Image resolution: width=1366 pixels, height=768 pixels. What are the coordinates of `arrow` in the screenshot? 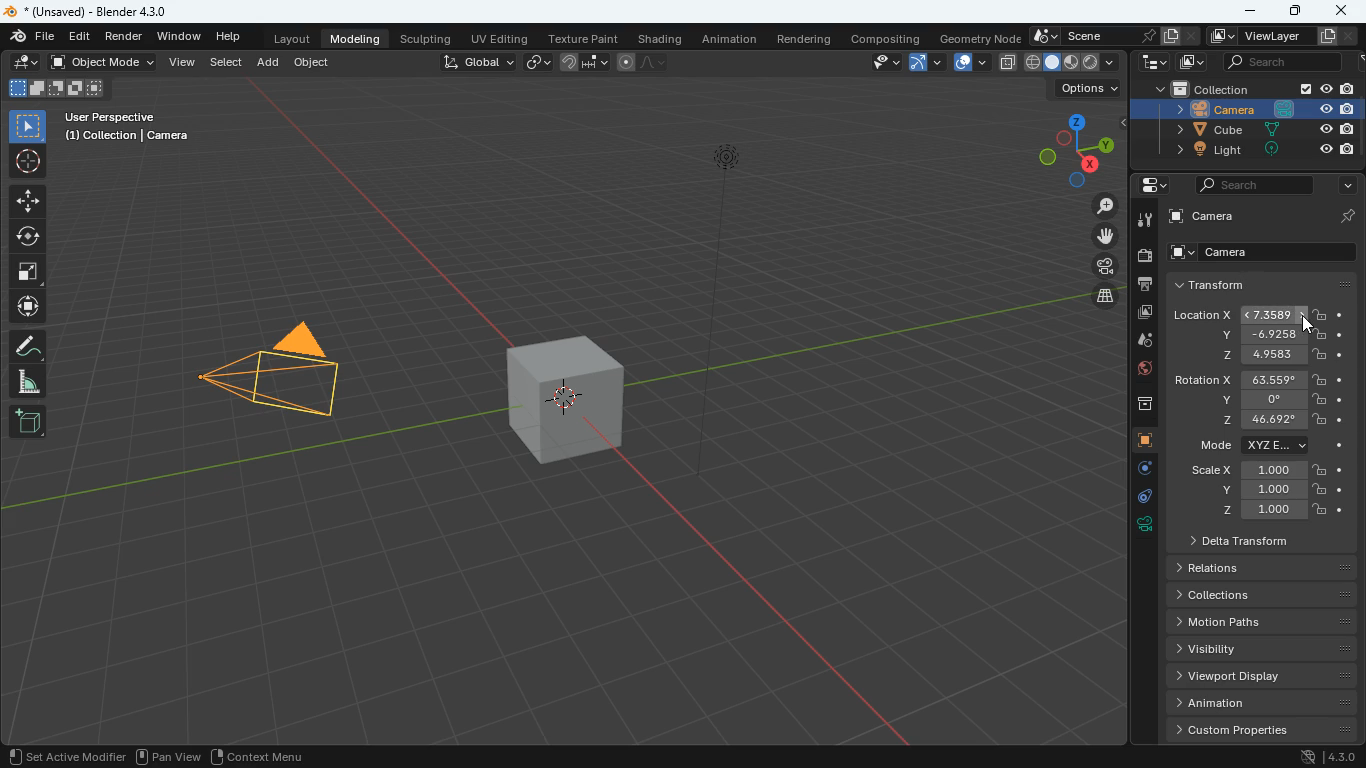 It's located at (1347, 185).